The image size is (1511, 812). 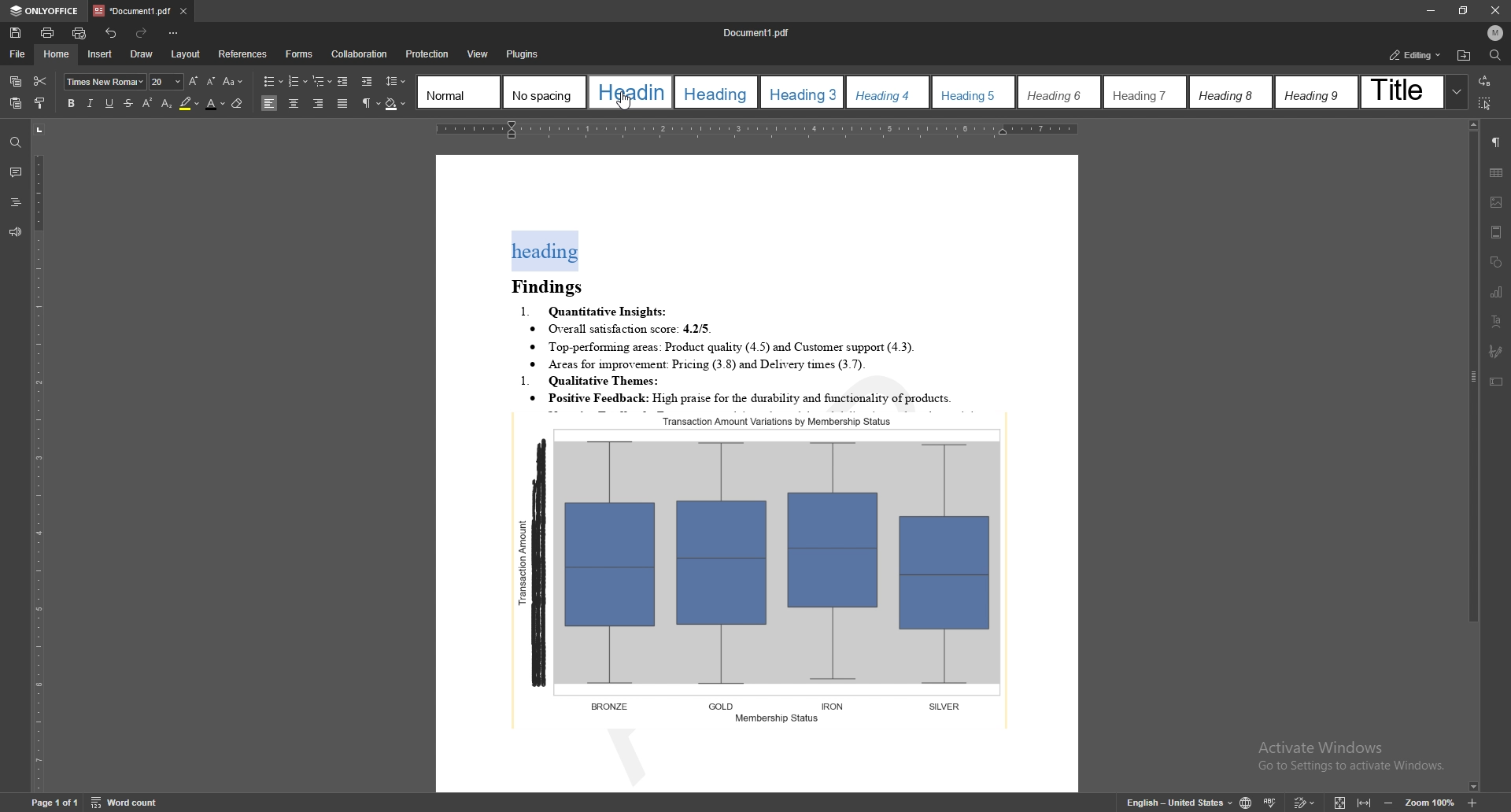 I want to click on align right, so click(x=320, y=104).